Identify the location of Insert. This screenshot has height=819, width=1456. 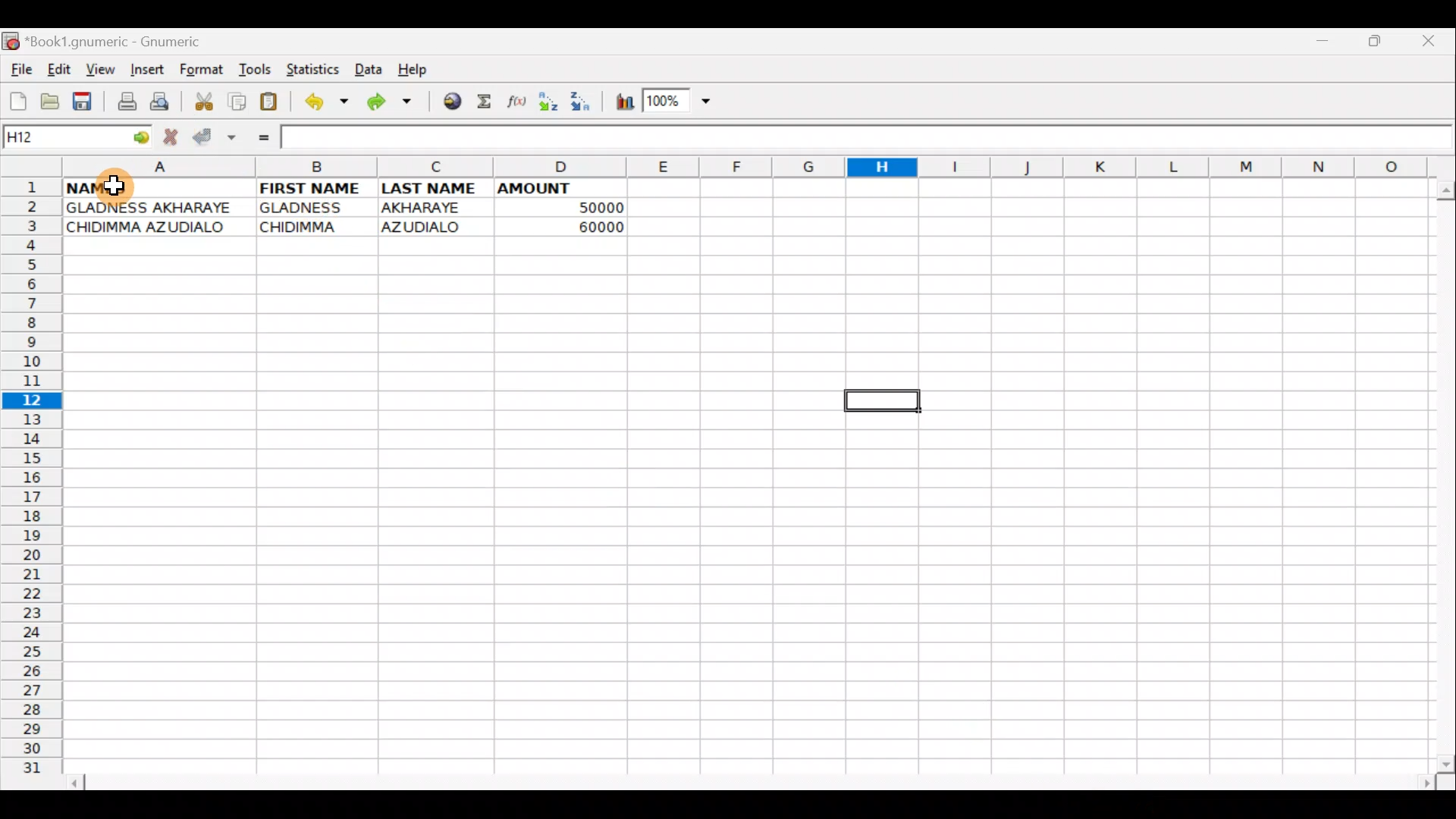
(150, 69).